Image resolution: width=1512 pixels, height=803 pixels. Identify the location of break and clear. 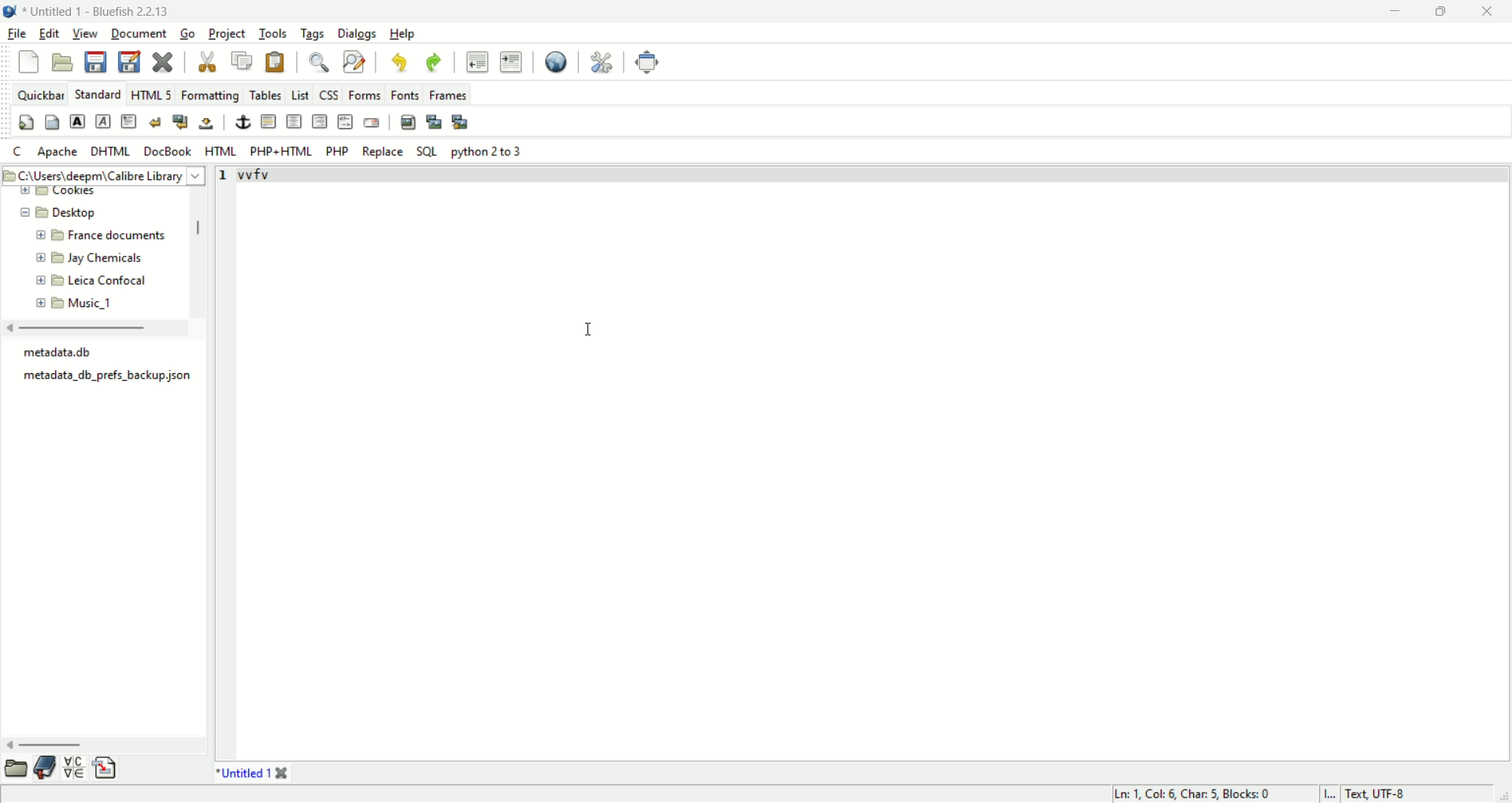
(179, 122).